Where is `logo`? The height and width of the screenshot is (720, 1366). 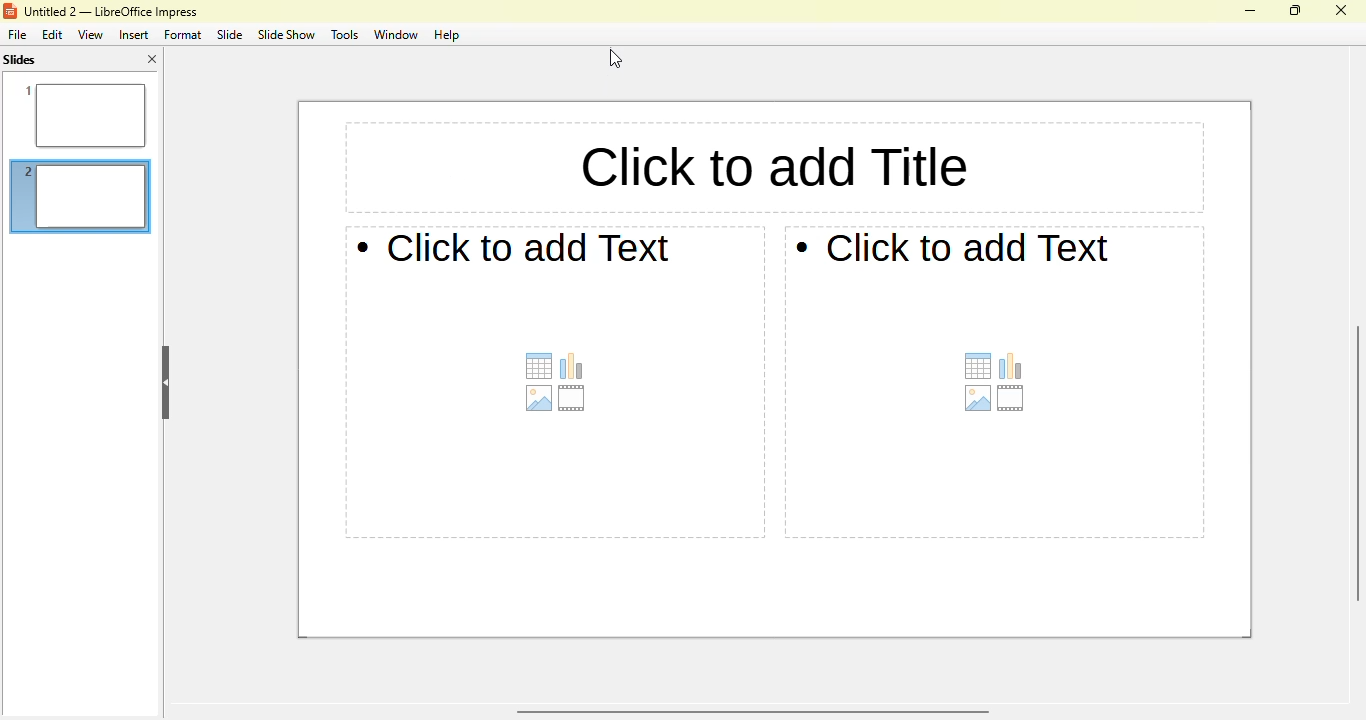
logo is located at coordinates (10, 11).